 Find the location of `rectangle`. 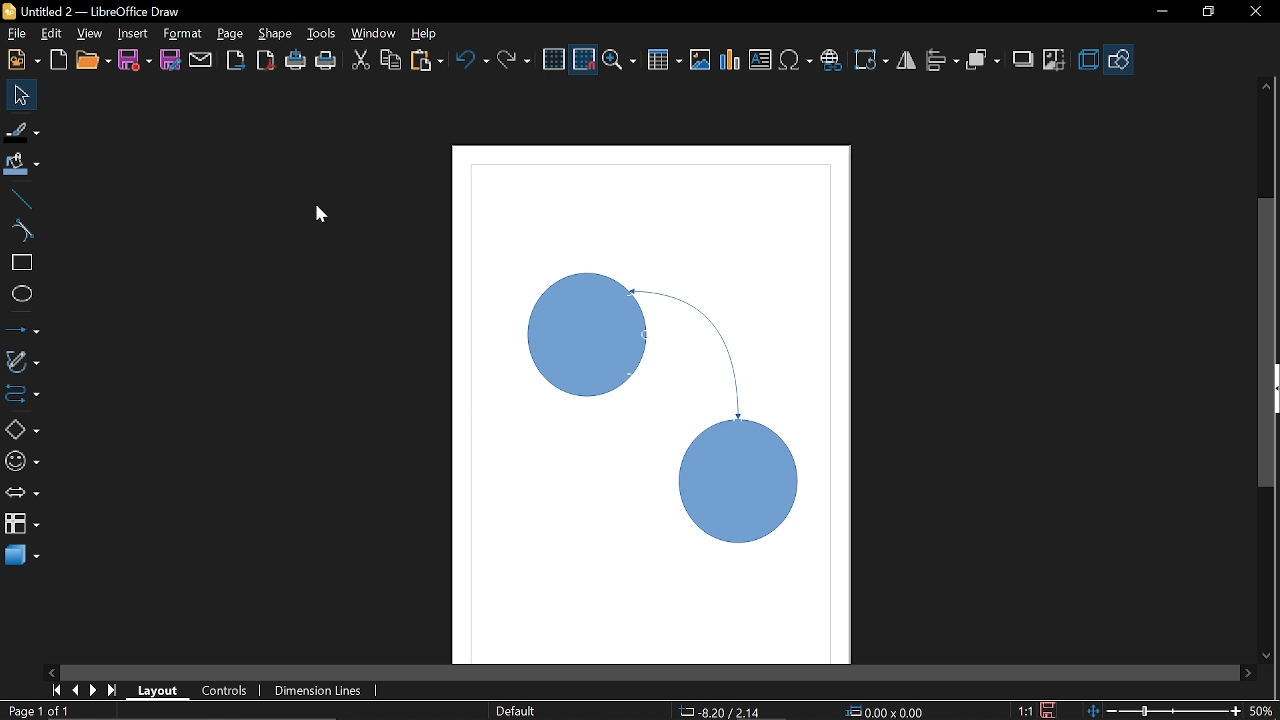

rectangle is located at coordinates (19, 262).